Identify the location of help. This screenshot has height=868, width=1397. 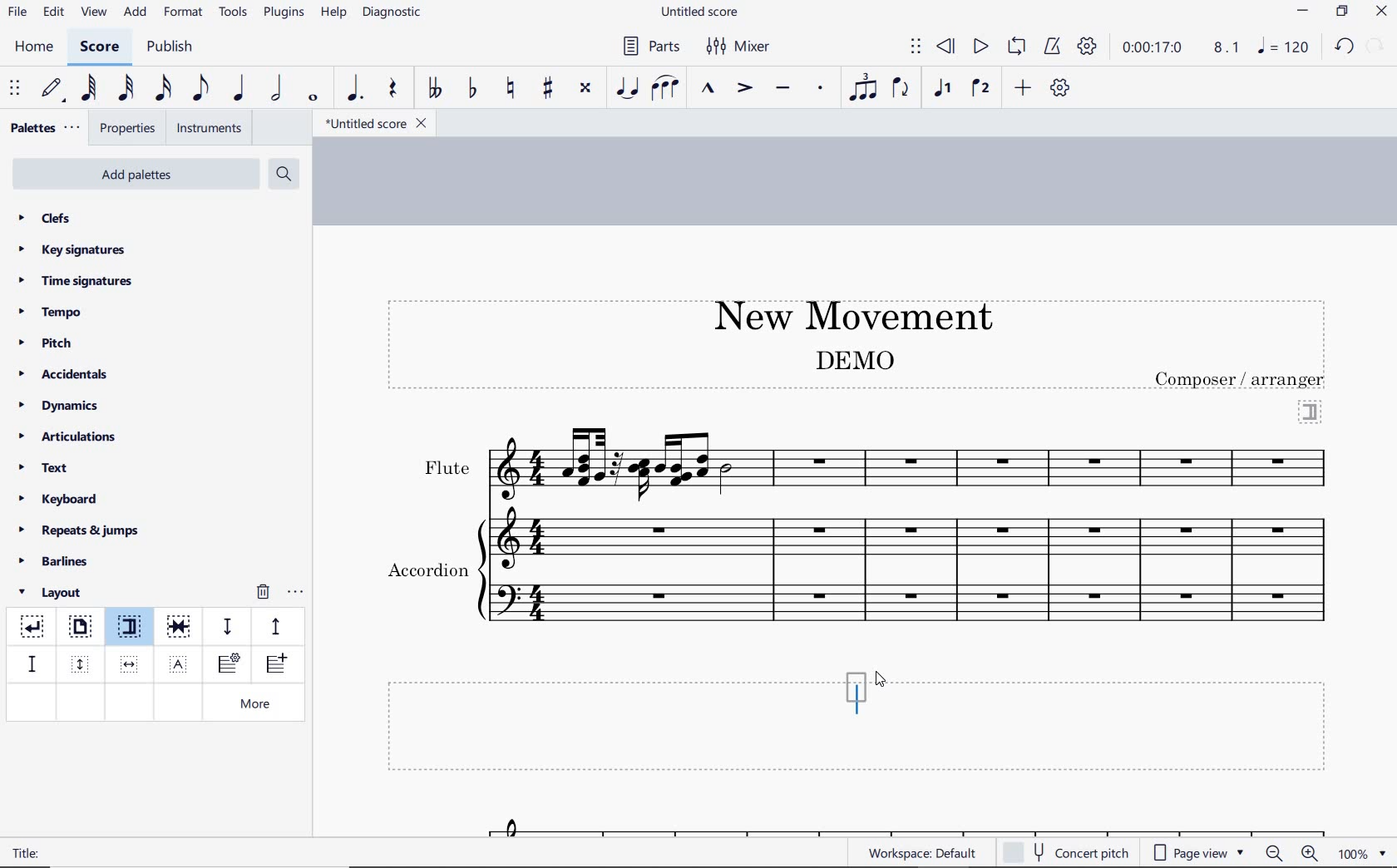
(332, 13).